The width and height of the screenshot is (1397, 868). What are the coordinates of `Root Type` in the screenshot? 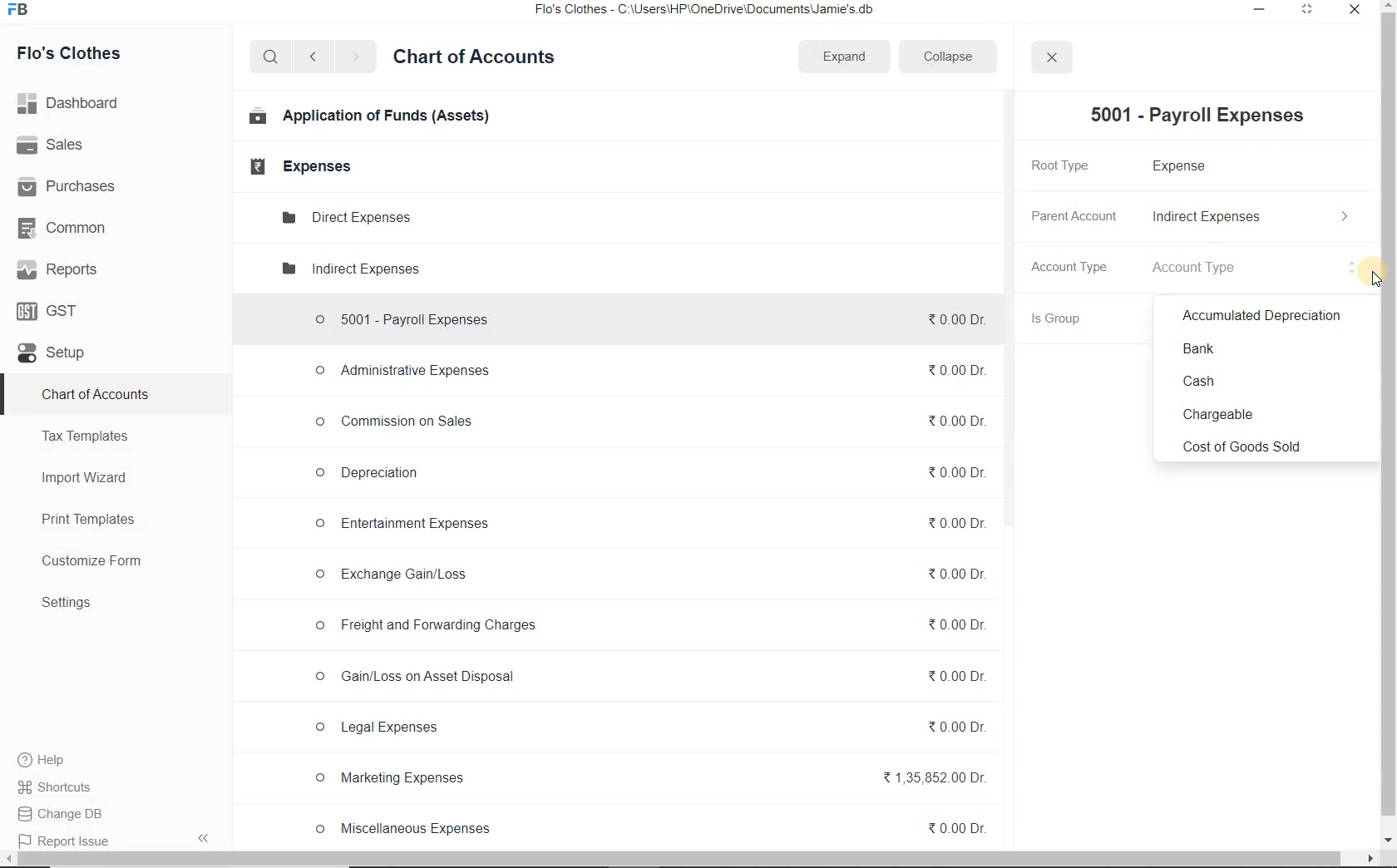 It's located at (1071, 165).